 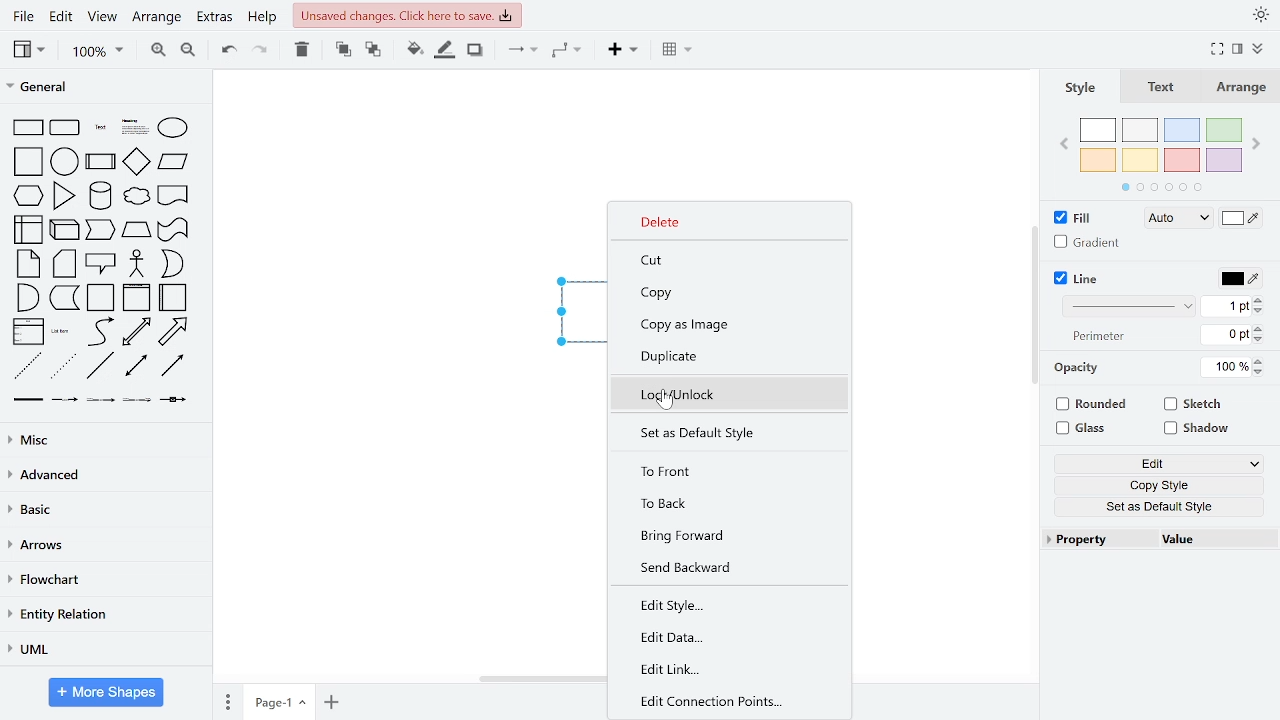 I want to click on Auto, so click(x=1182, y=218).